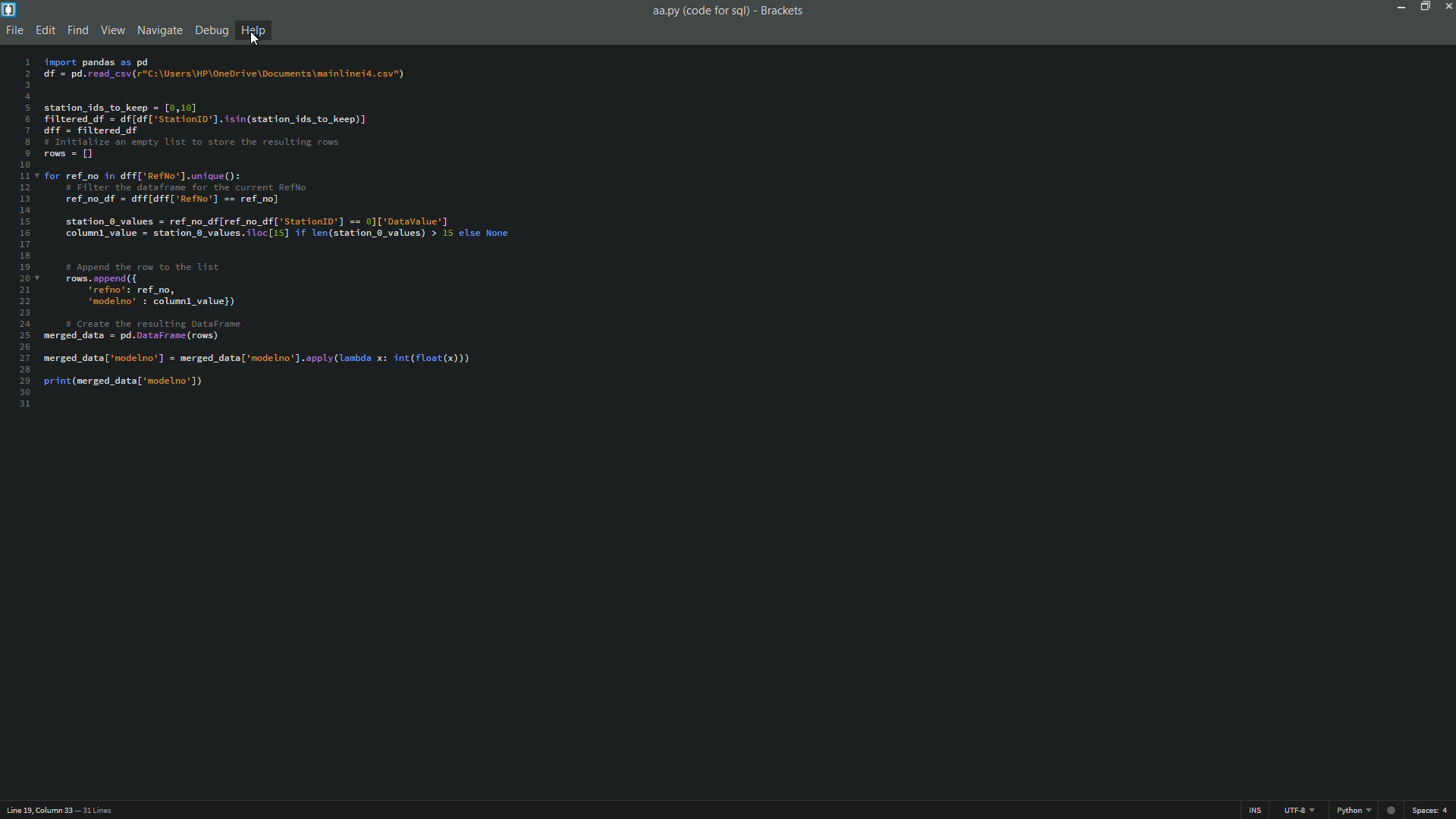 This screenshot has height=819, width=1456. I want to click on line encoding, so click(1300, 811).